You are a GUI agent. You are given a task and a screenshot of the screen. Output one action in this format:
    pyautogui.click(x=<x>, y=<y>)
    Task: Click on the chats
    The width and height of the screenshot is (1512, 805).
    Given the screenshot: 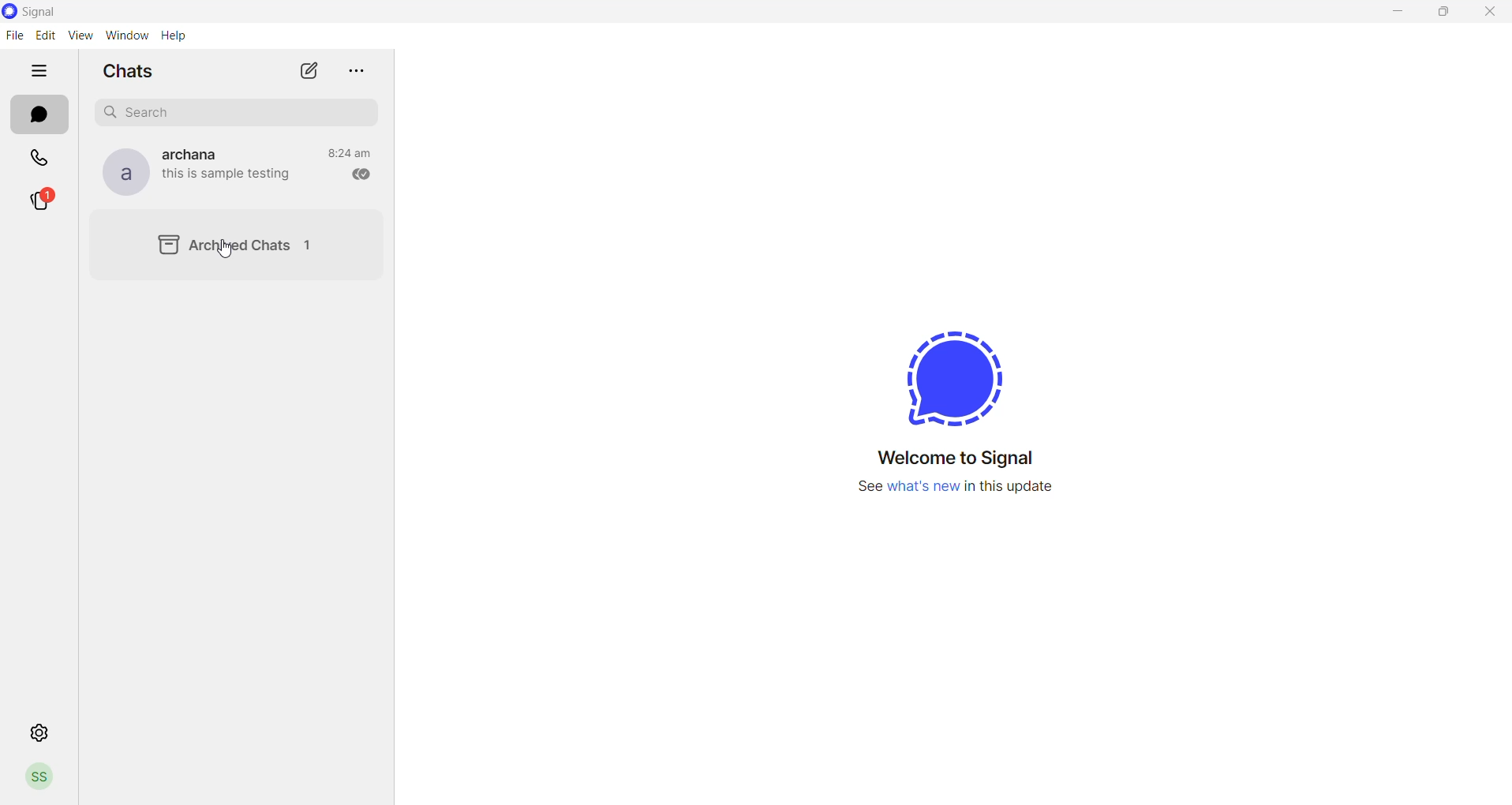 What is the action you would take?
    pyautogui.click(x=39, y=116)
    